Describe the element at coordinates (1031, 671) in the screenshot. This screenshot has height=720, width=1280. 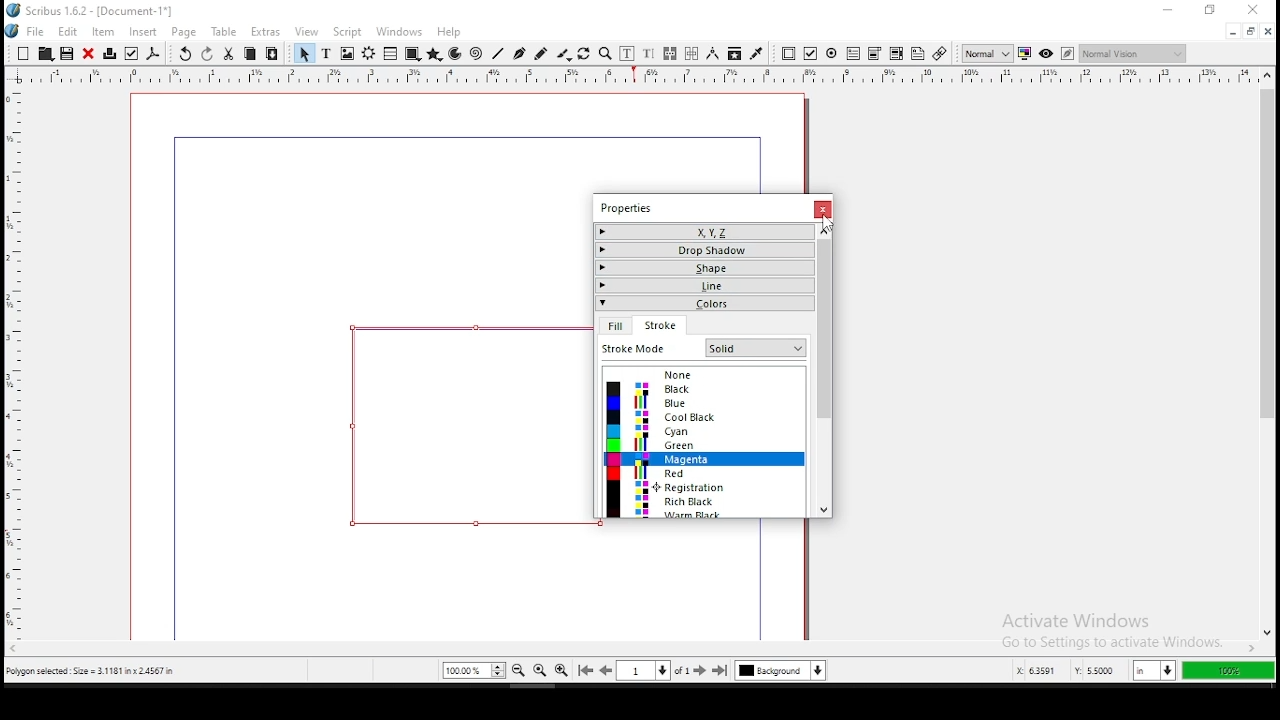
I see `x: 5.2253` at that location.